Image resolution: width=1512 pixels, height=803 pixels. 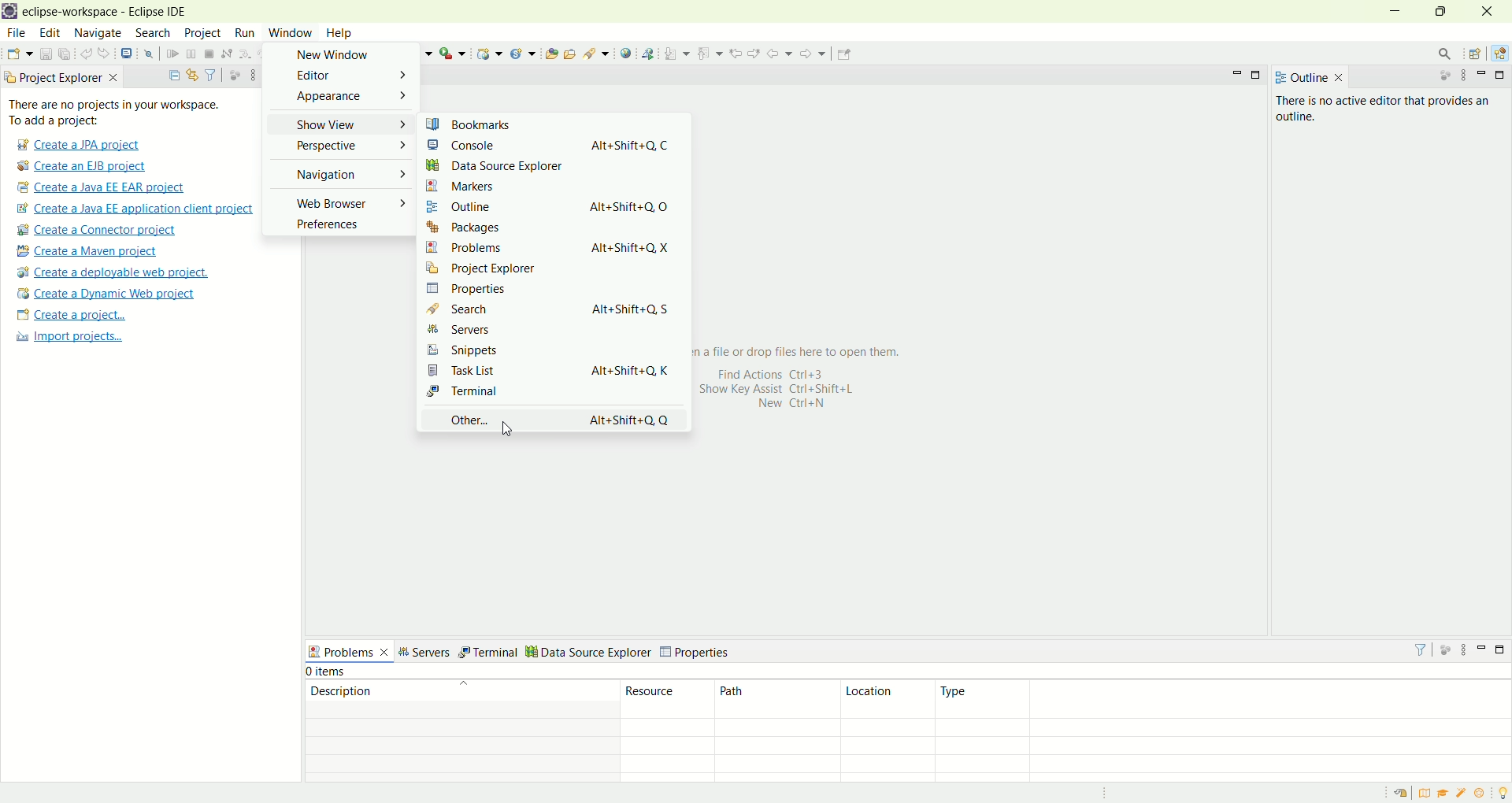 I want to click on forward, so click(x=813, y=52).